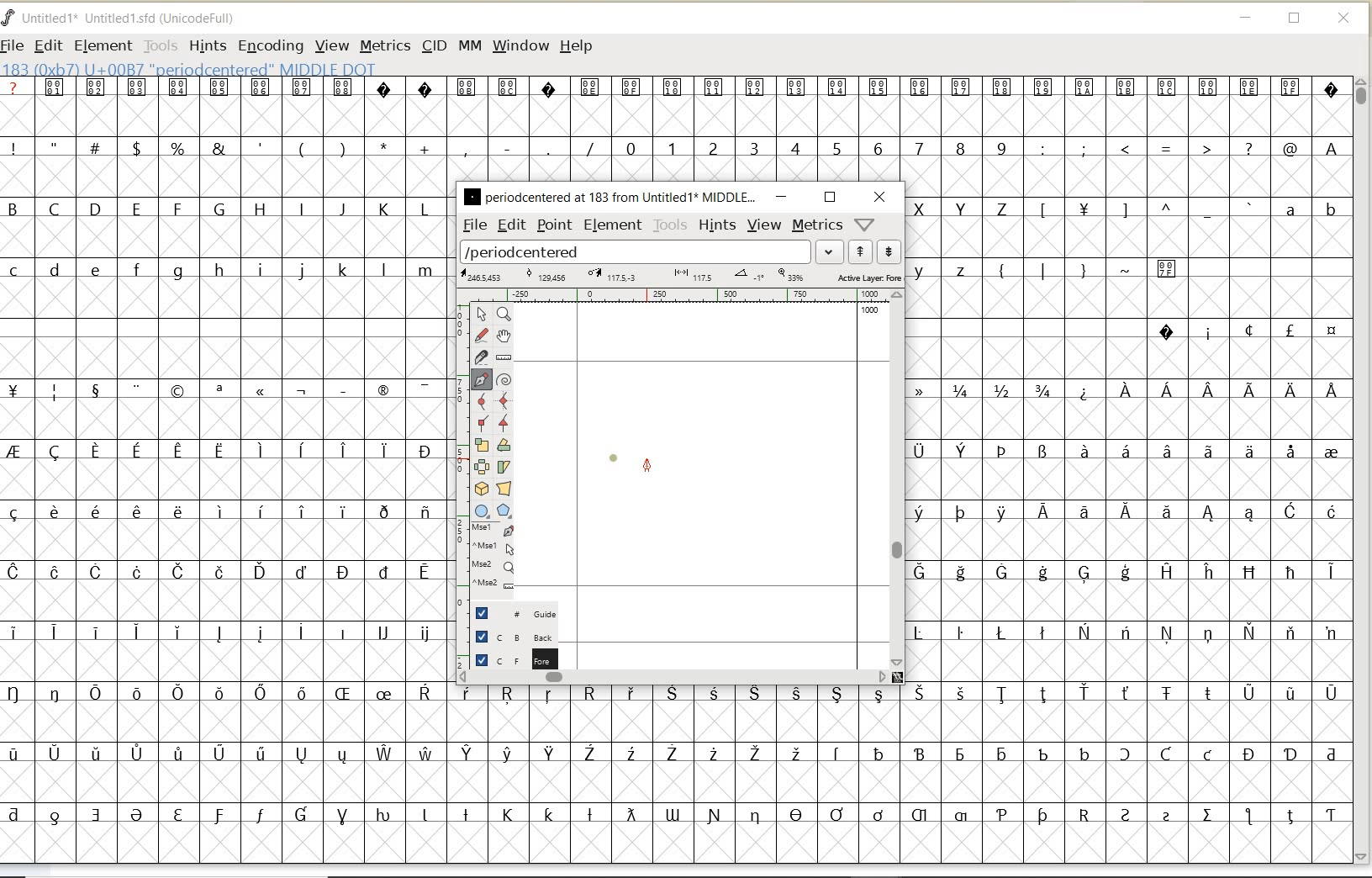  Describe the element at coordinates (863, 225) in the screenshot. I see `help/window` at that location.